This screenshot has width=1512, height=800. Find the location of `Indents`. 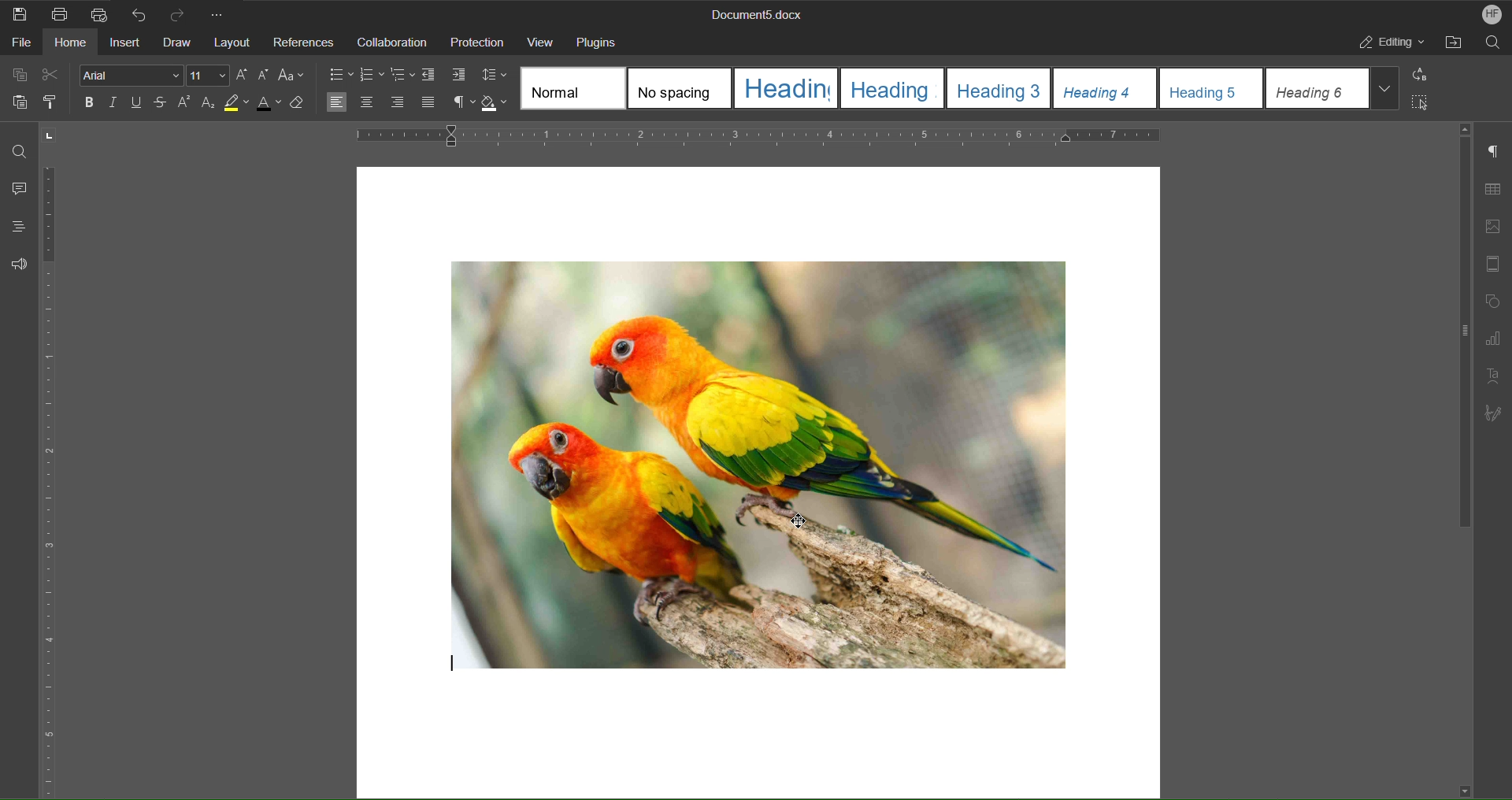

Indents is located at coordinates (447, 76).